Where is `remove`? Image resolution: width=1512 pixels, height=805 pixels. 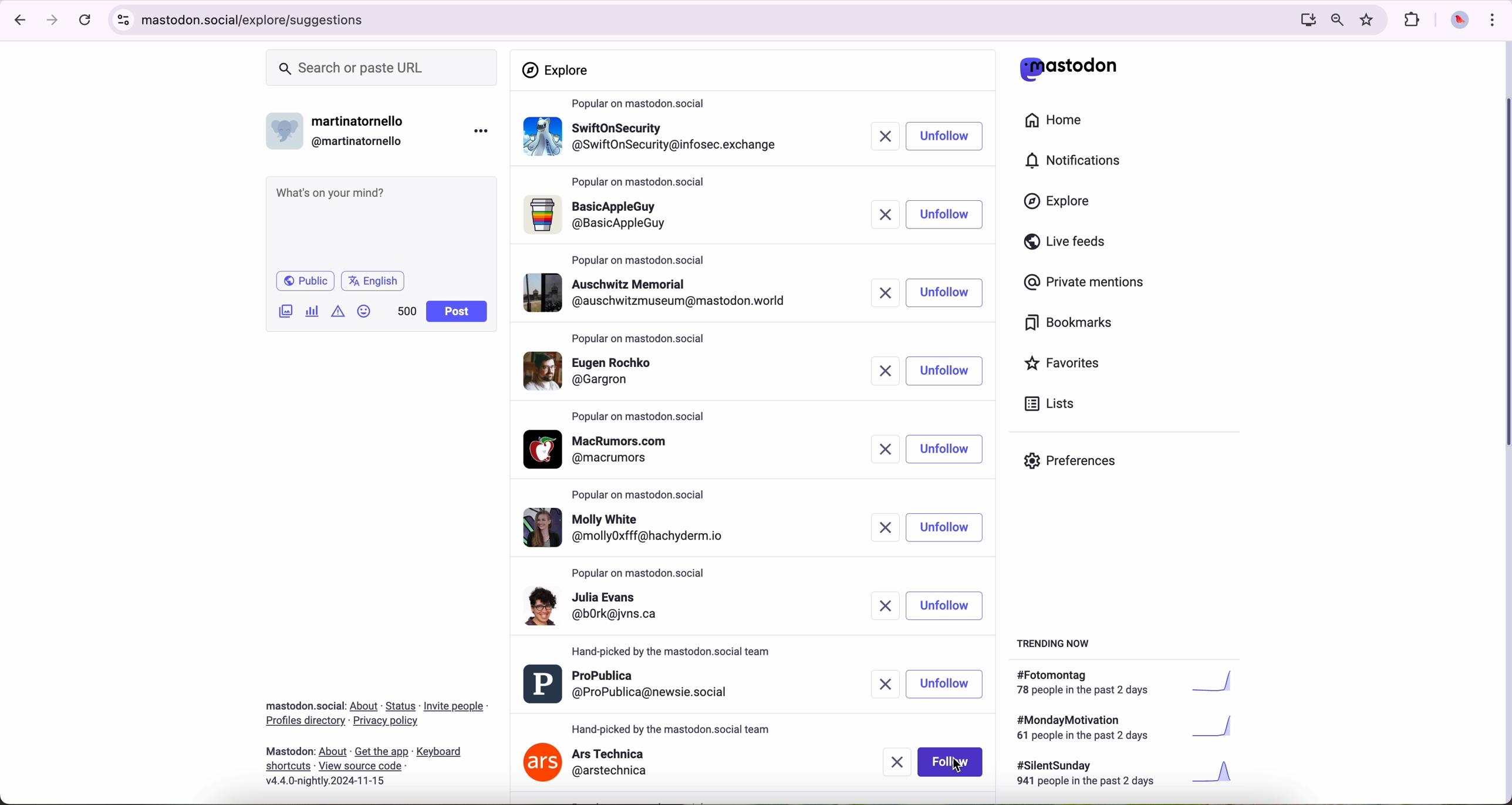 remove is located at coordinates (882, 137).